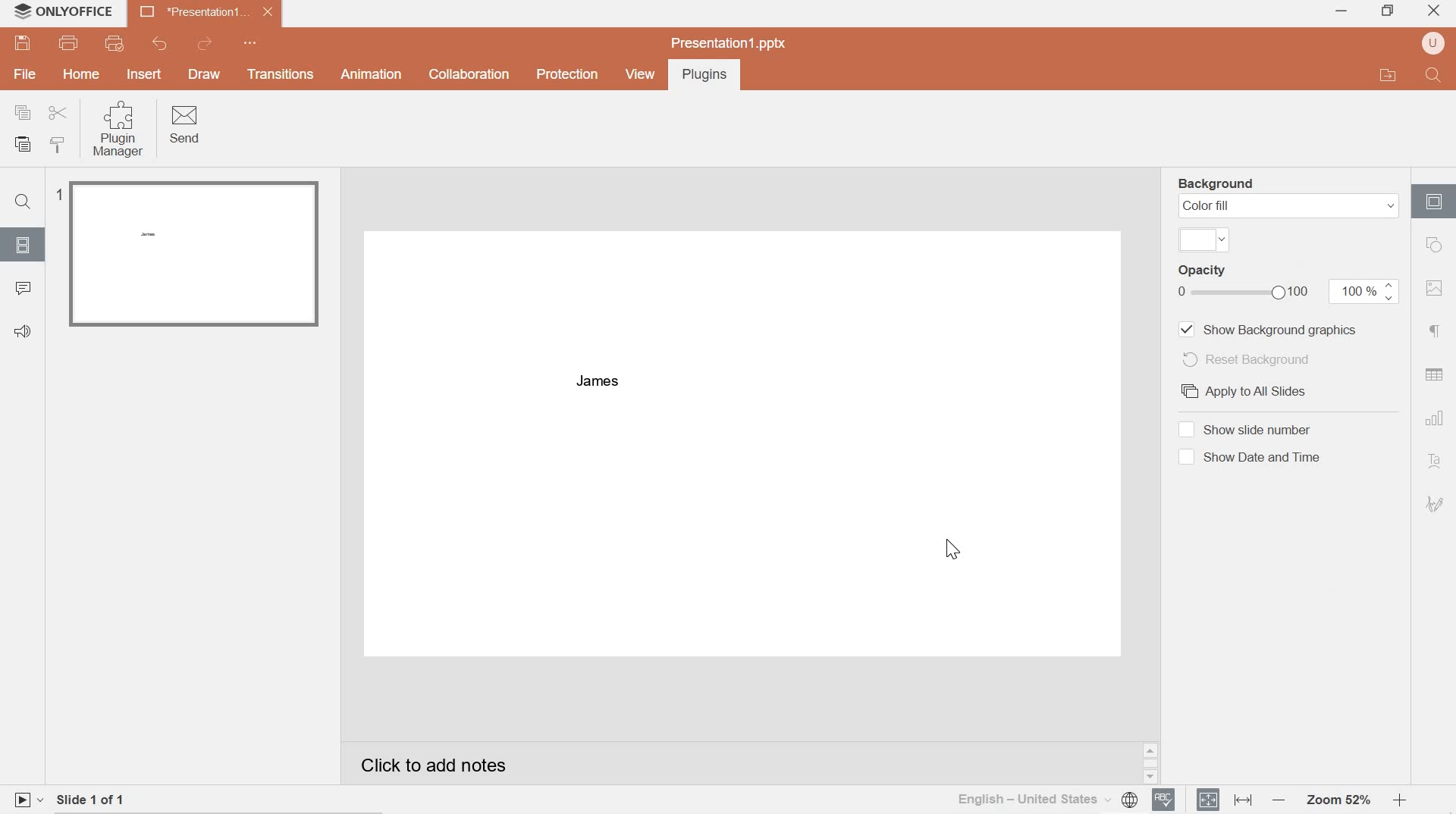 The height and width of the screenshot is (814, 1456). What do you see at coordinates (81, 11) in the screenshot?
I see `system name` at bounding box center [81, 11].